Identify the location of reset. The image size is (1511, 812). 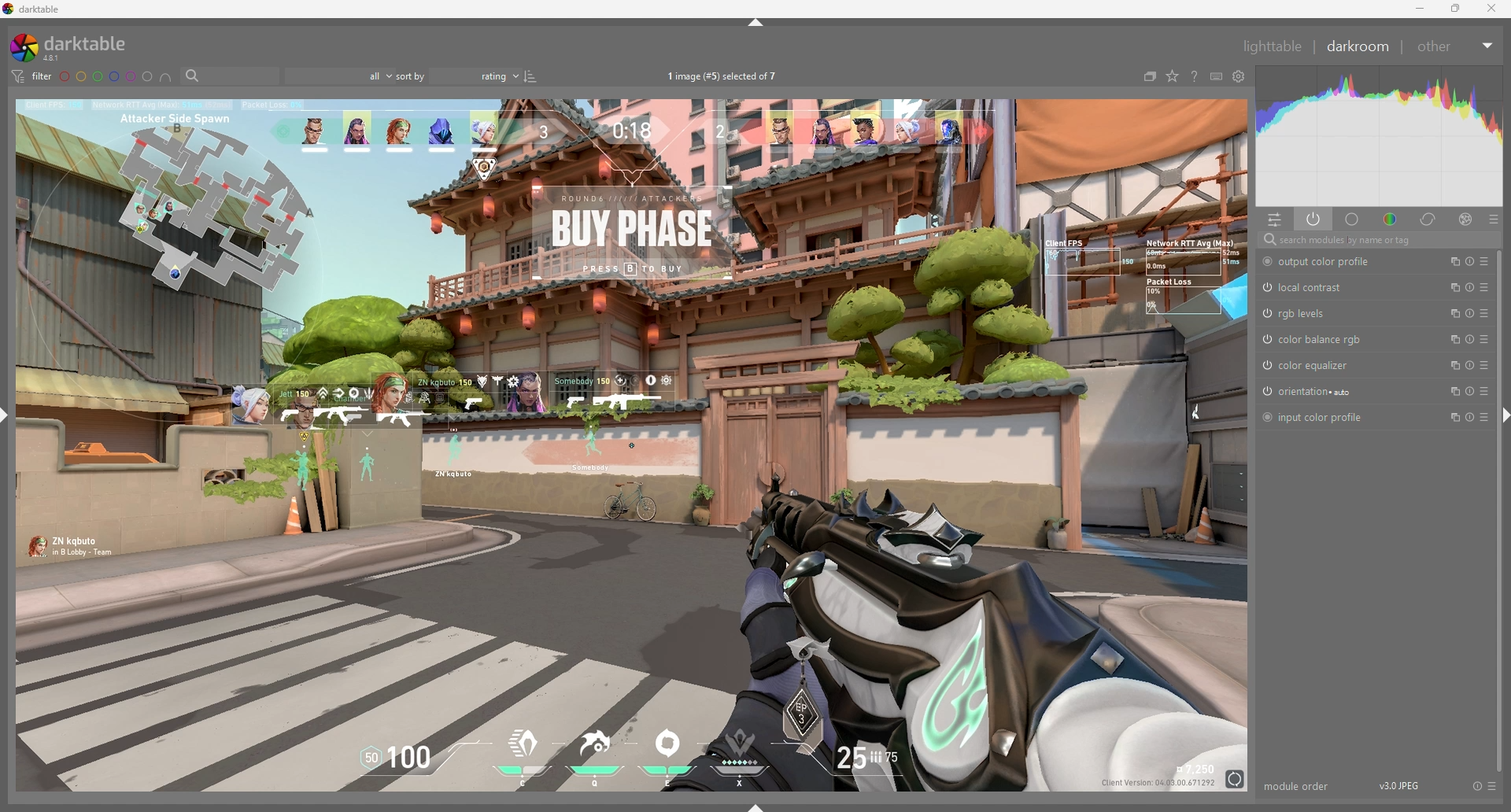
(1472, 313).